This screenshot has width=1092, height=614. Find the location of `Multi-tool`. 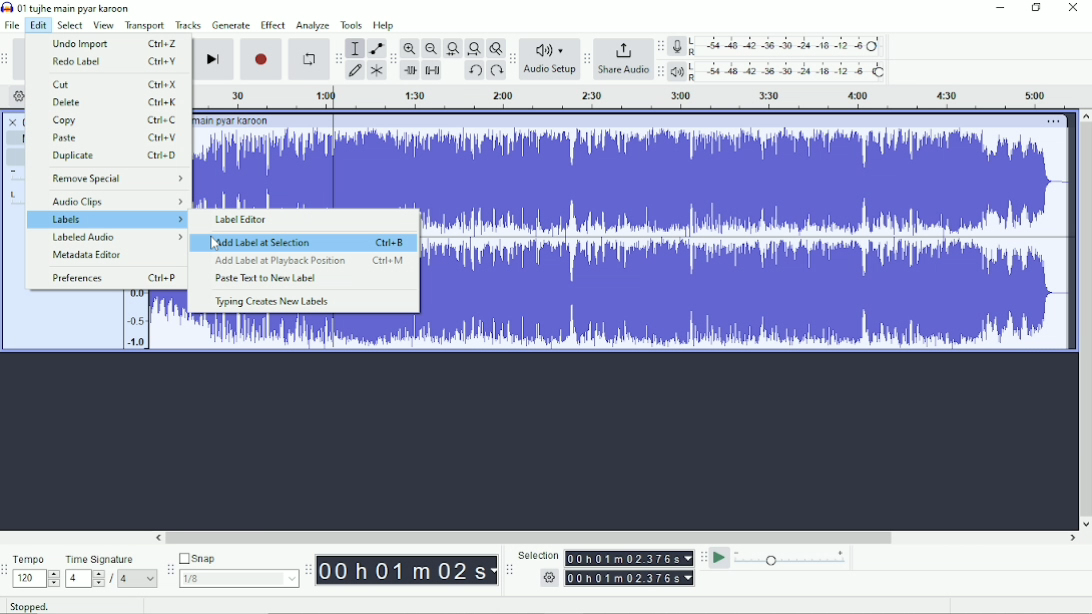

Multi-tool is located at coordinates (376, 70).